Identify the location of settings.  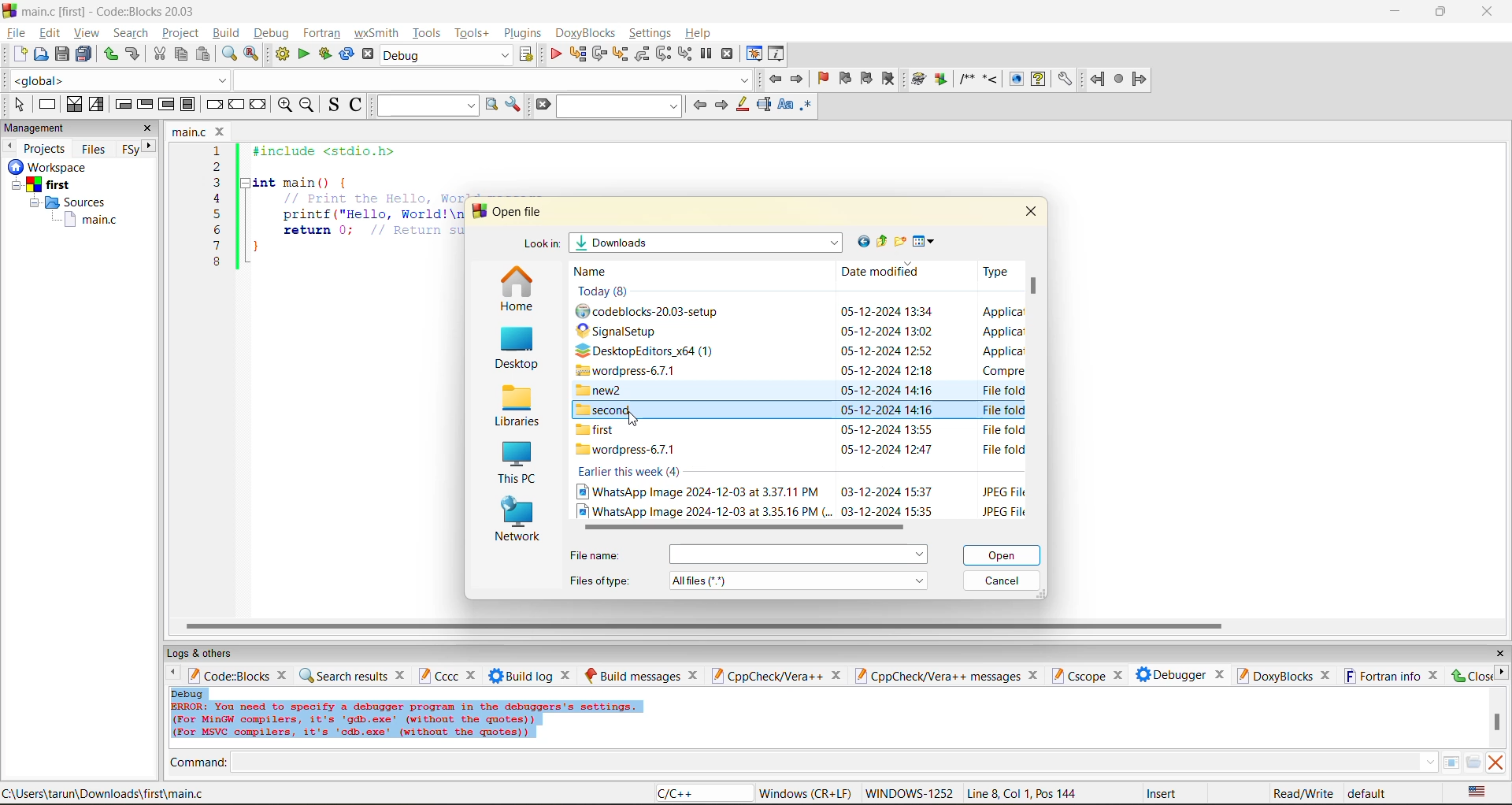
(1064, 80).